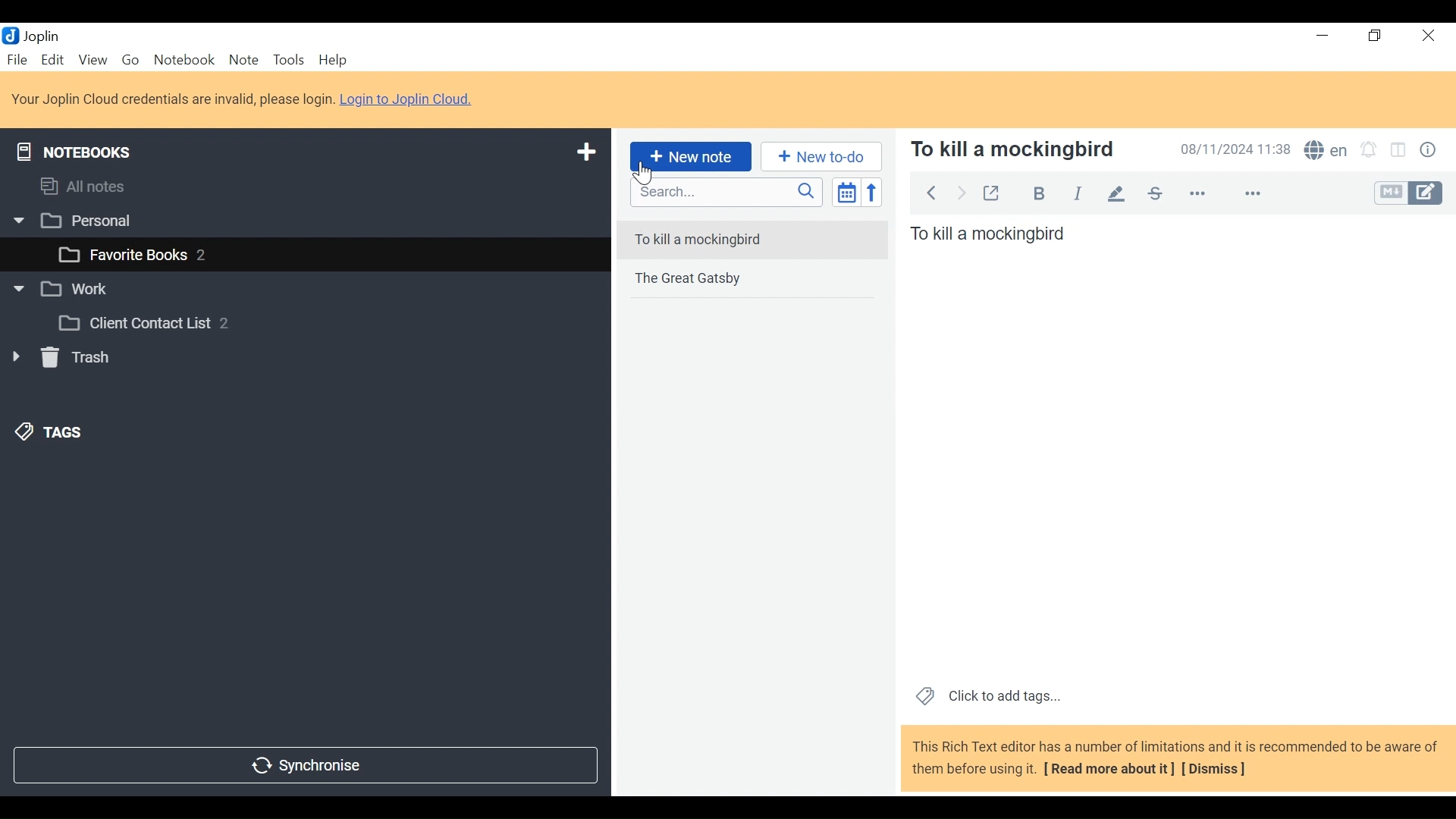 The image size is (1456, 819). I want to click on Back, so click(964, 193).